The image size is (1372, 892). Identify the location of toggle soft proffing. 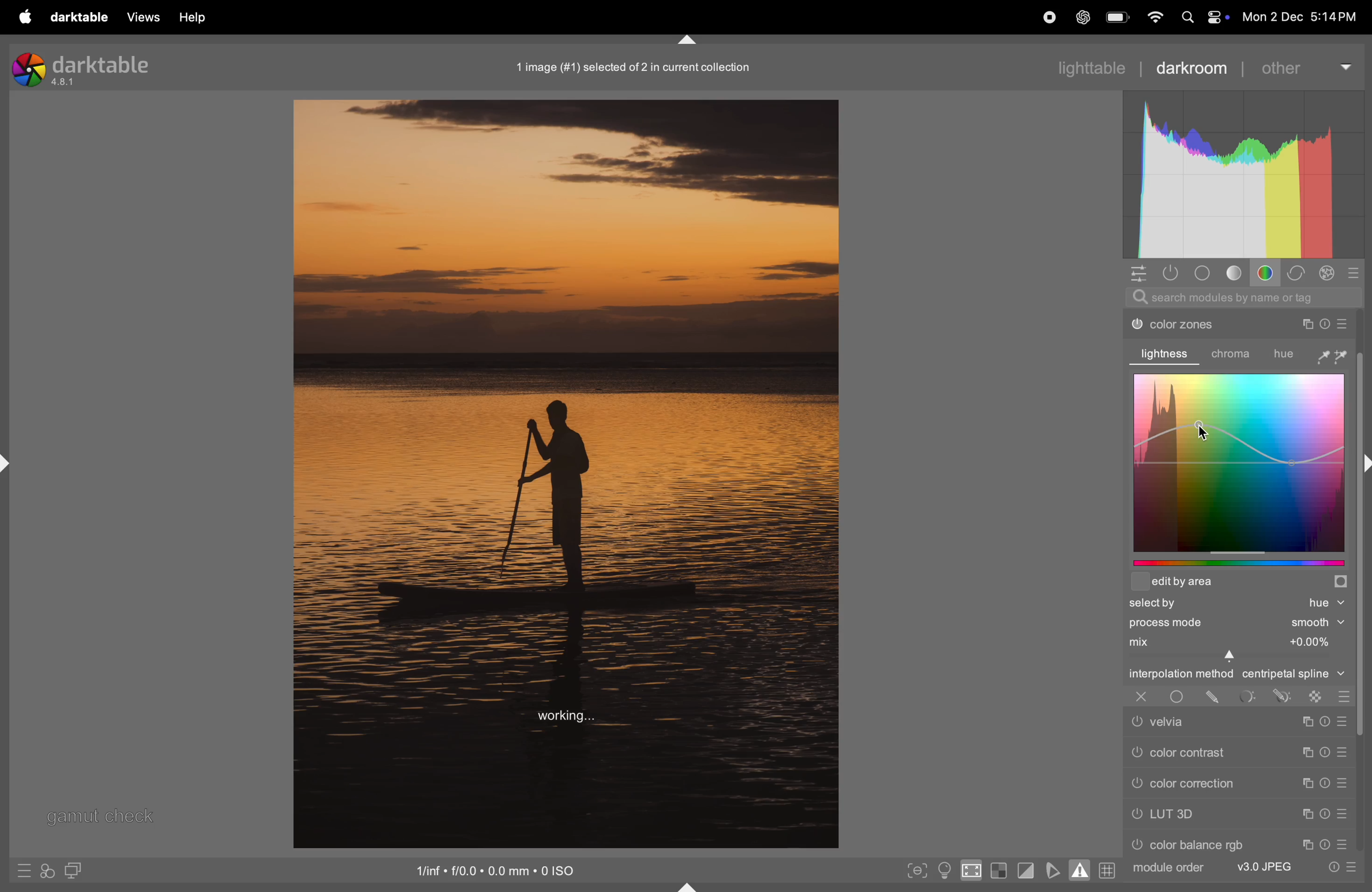
(1055, 870).